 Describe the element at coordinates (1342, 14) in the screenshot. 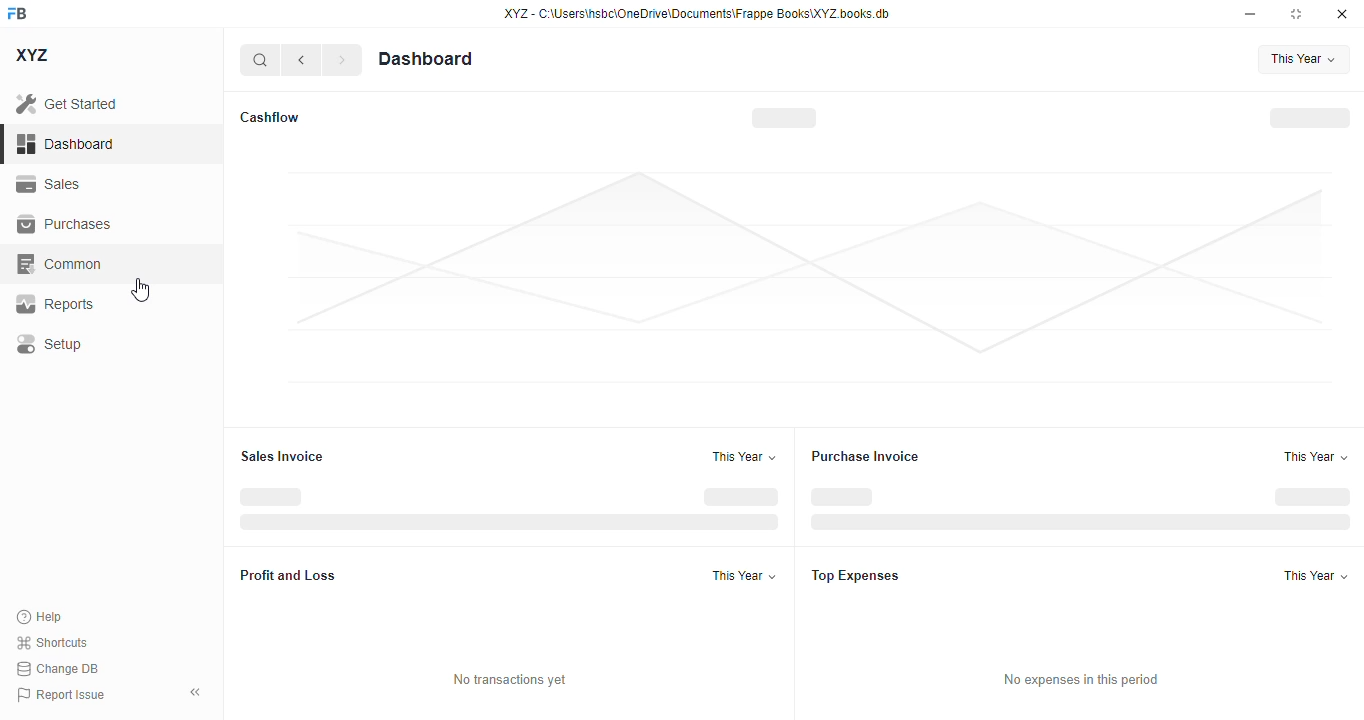

I see `close` at that location.